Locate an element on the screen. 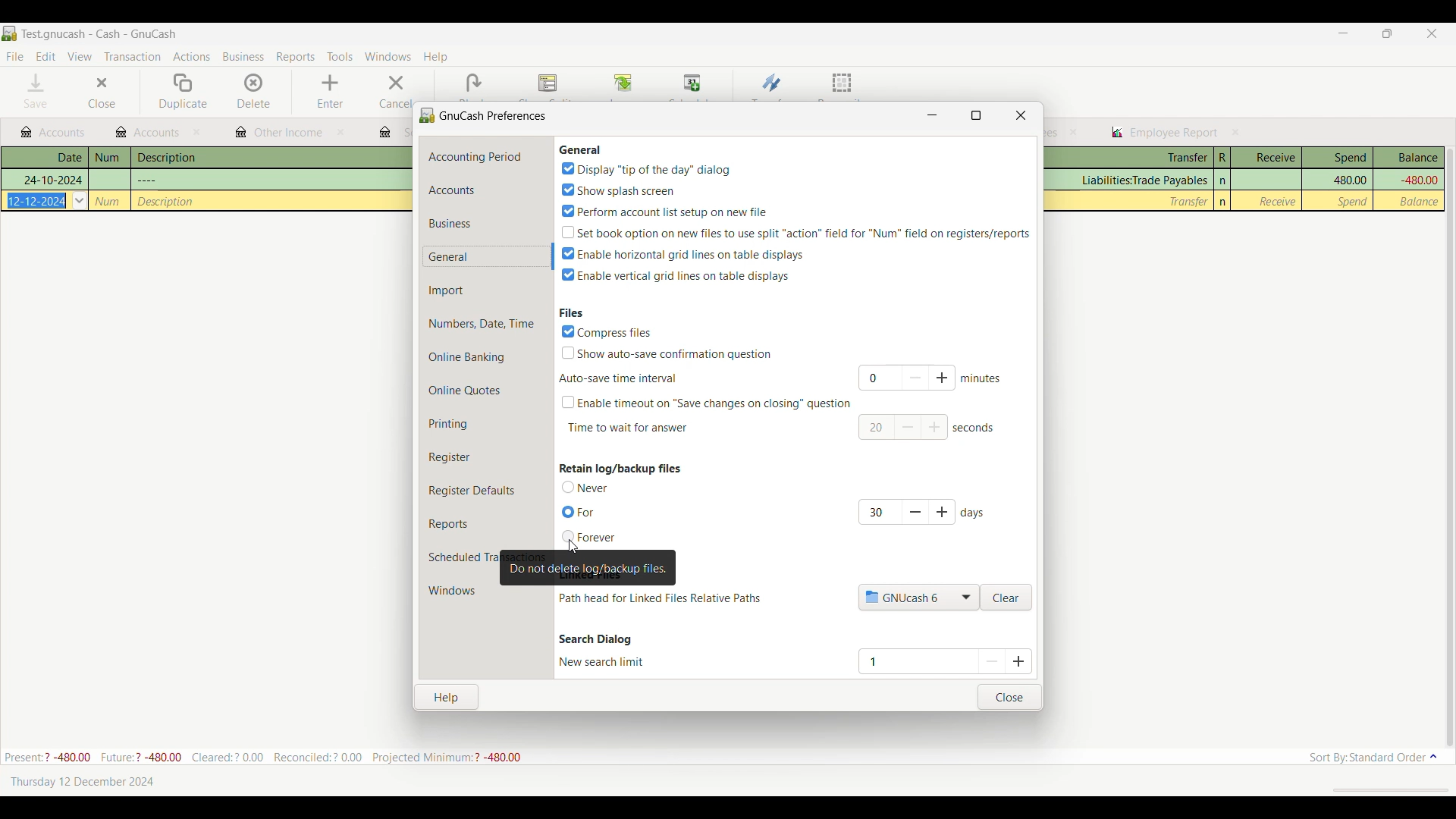  Windows menu is located at coordinates (388, 56).